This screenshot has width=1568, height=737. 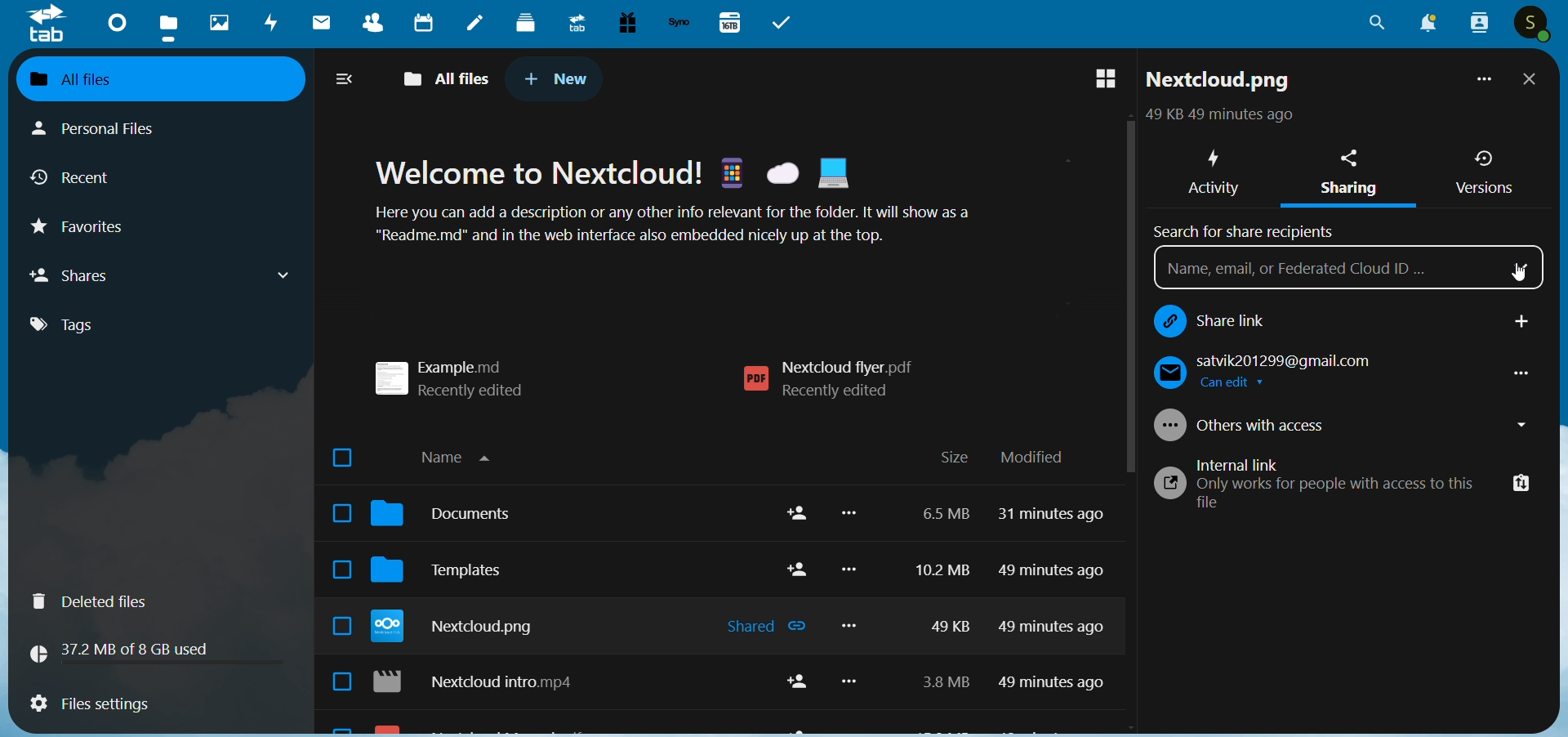 What do you see at coordinates (273, 25) in the screenshot?
I see `activity` at bounding box center [273, 25].